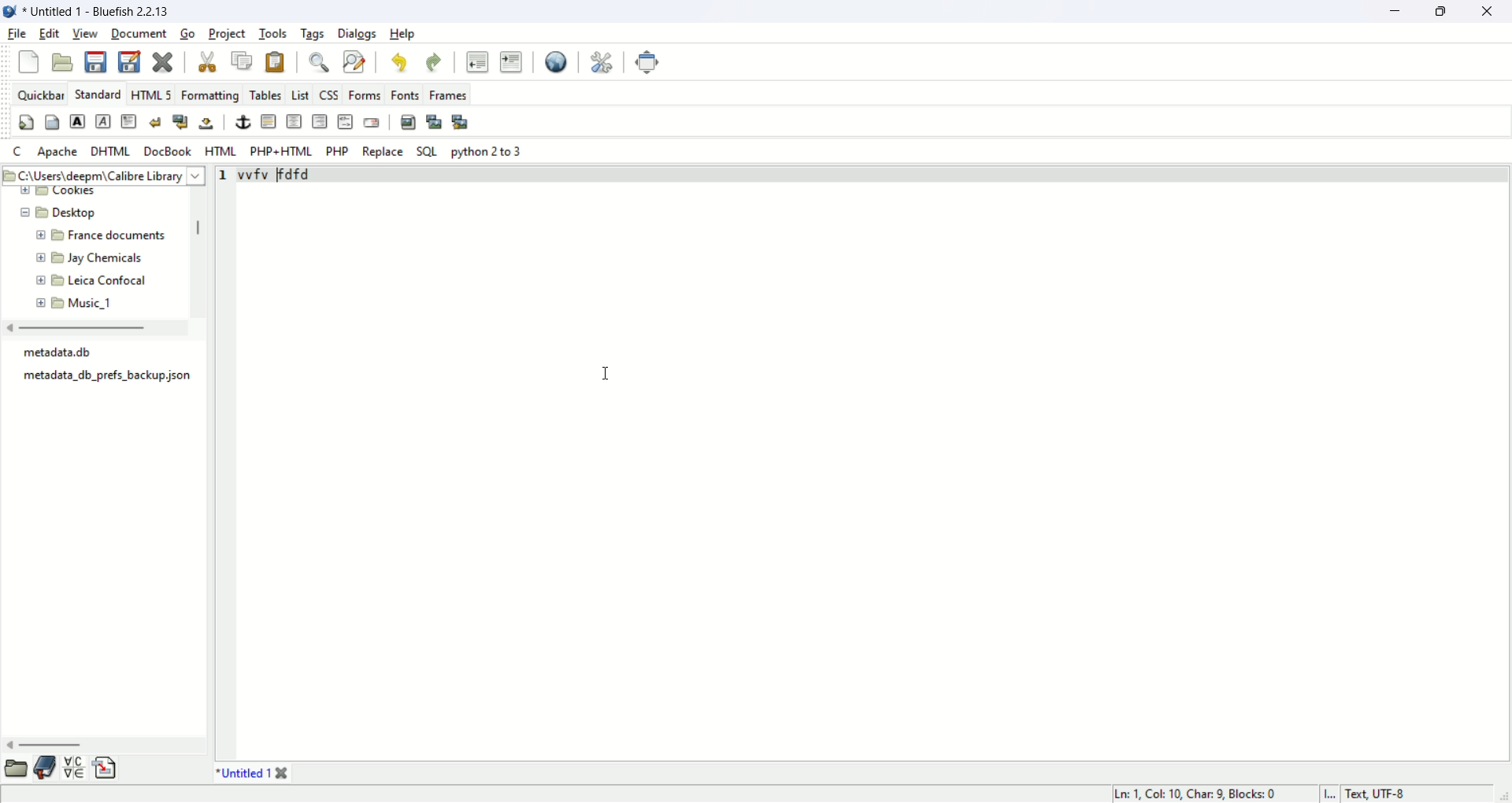  What do you see at coordinates (875, 464) in the screenshot?
I see `editor` at bounding box center [875, 464].